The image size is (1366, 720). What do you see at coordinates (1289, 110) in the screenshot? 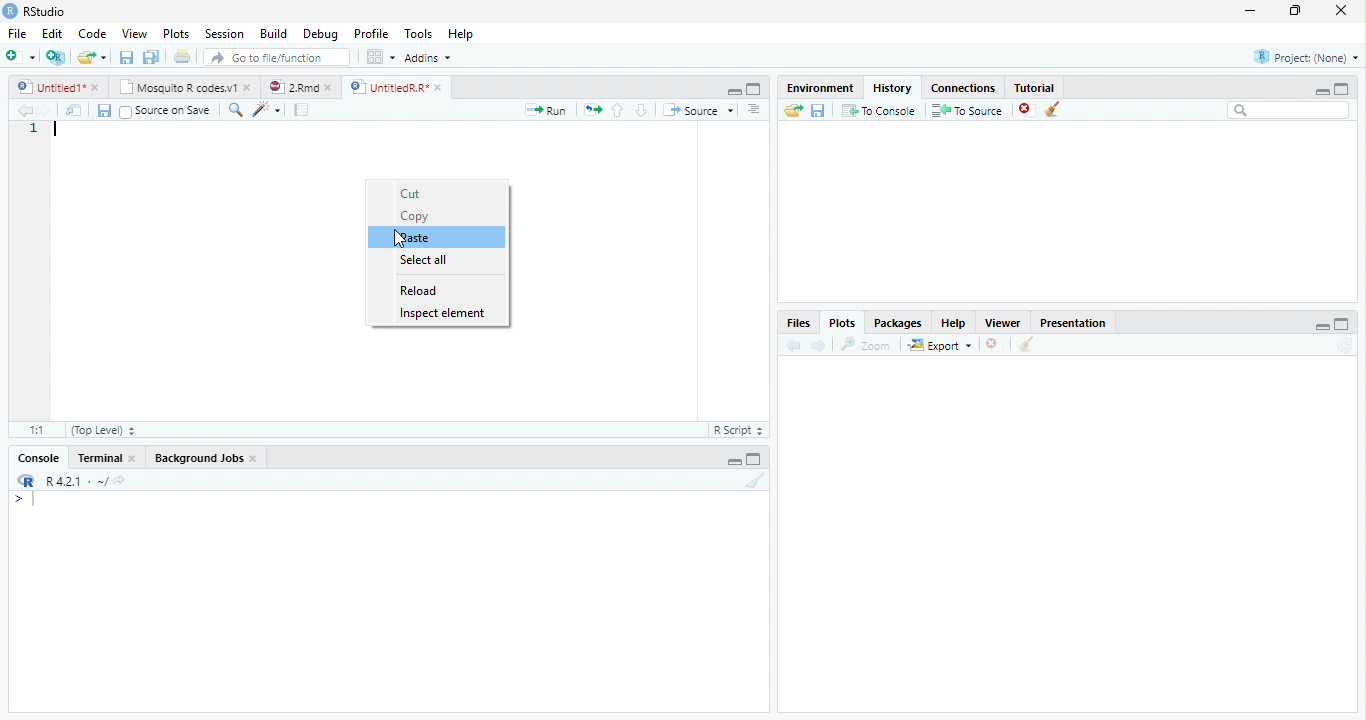
I see `Search` at bounding box center [1289, 110].